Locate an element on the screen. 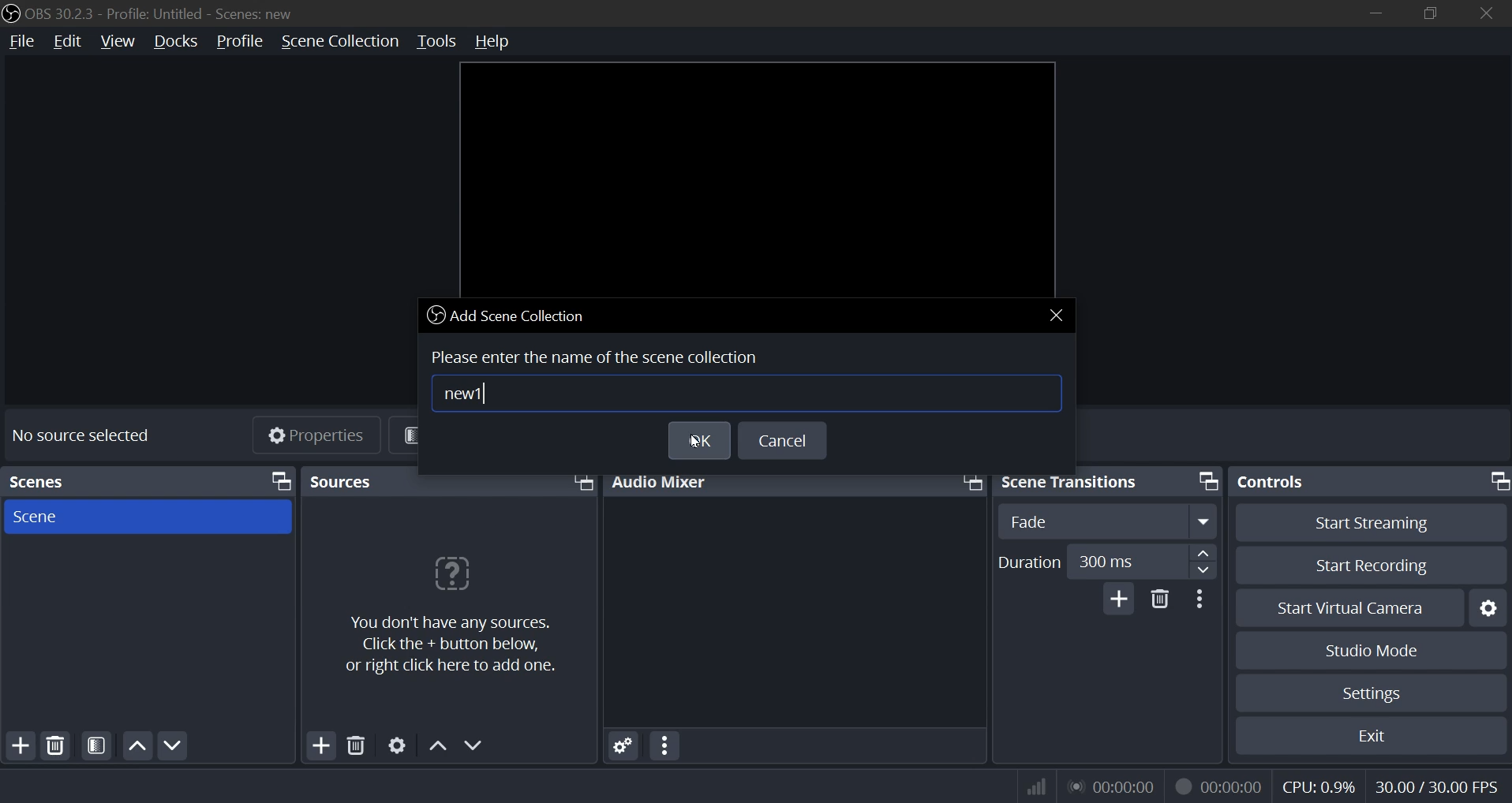 The image size is (1512, 803). up is located at coordinates (436, 743).